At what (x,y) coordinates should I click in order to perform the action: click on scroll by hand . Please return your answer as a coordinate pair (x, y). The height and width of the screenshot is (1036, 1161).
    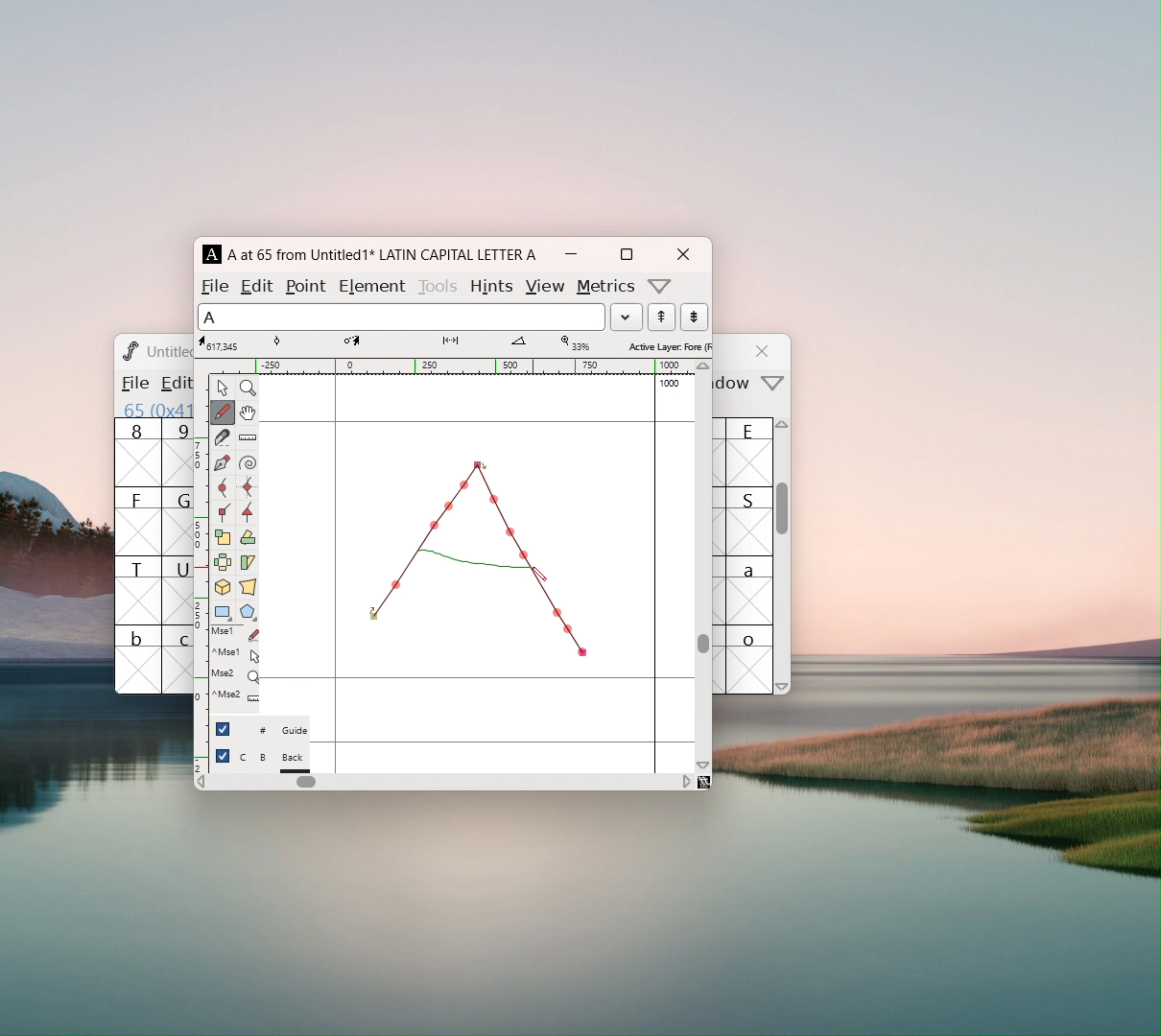
    Looking at the image, I should click on (248, 413).